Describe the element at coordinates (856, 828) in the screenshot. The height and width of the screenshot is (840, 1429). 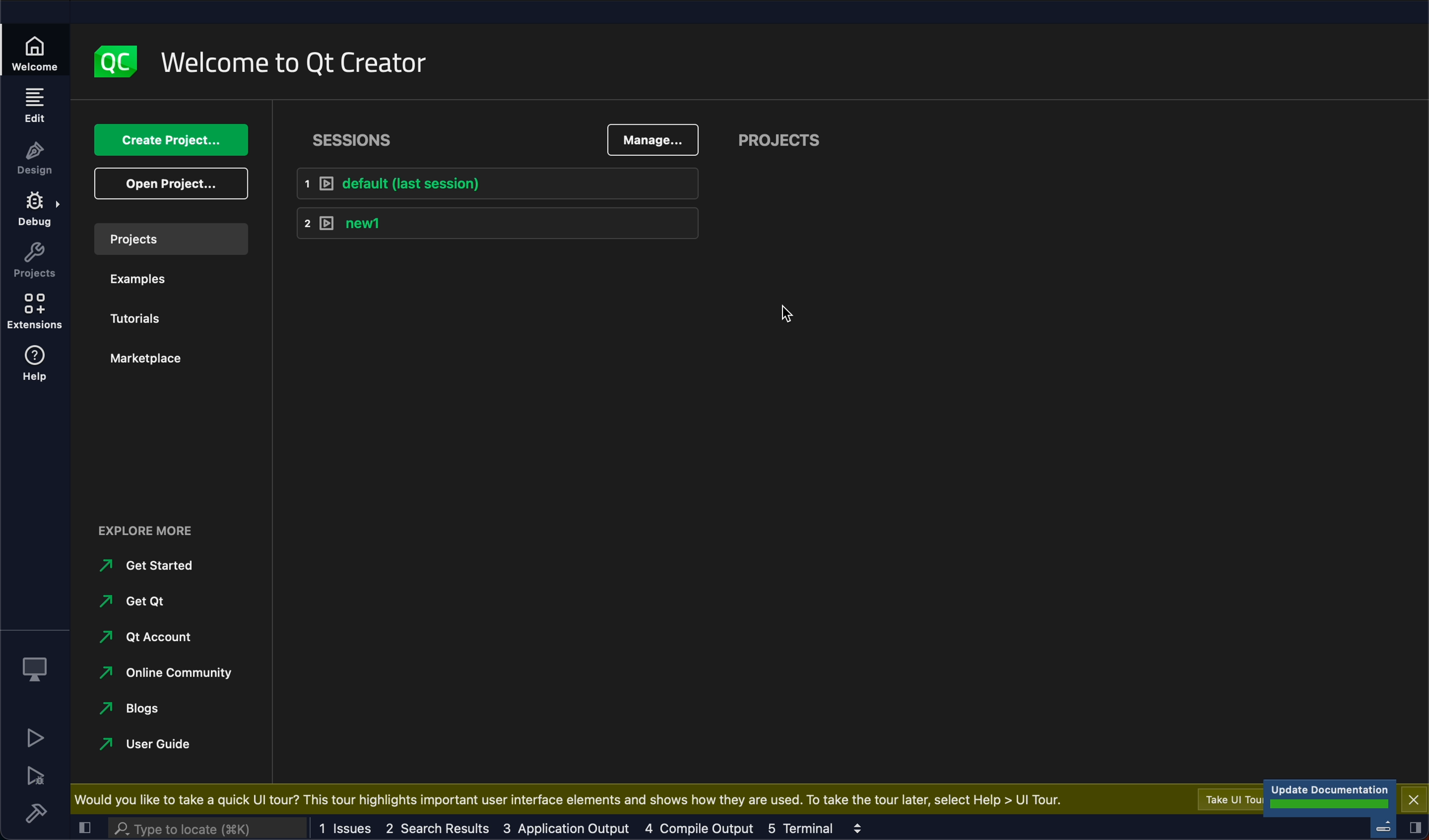
I see `view output` at that location.